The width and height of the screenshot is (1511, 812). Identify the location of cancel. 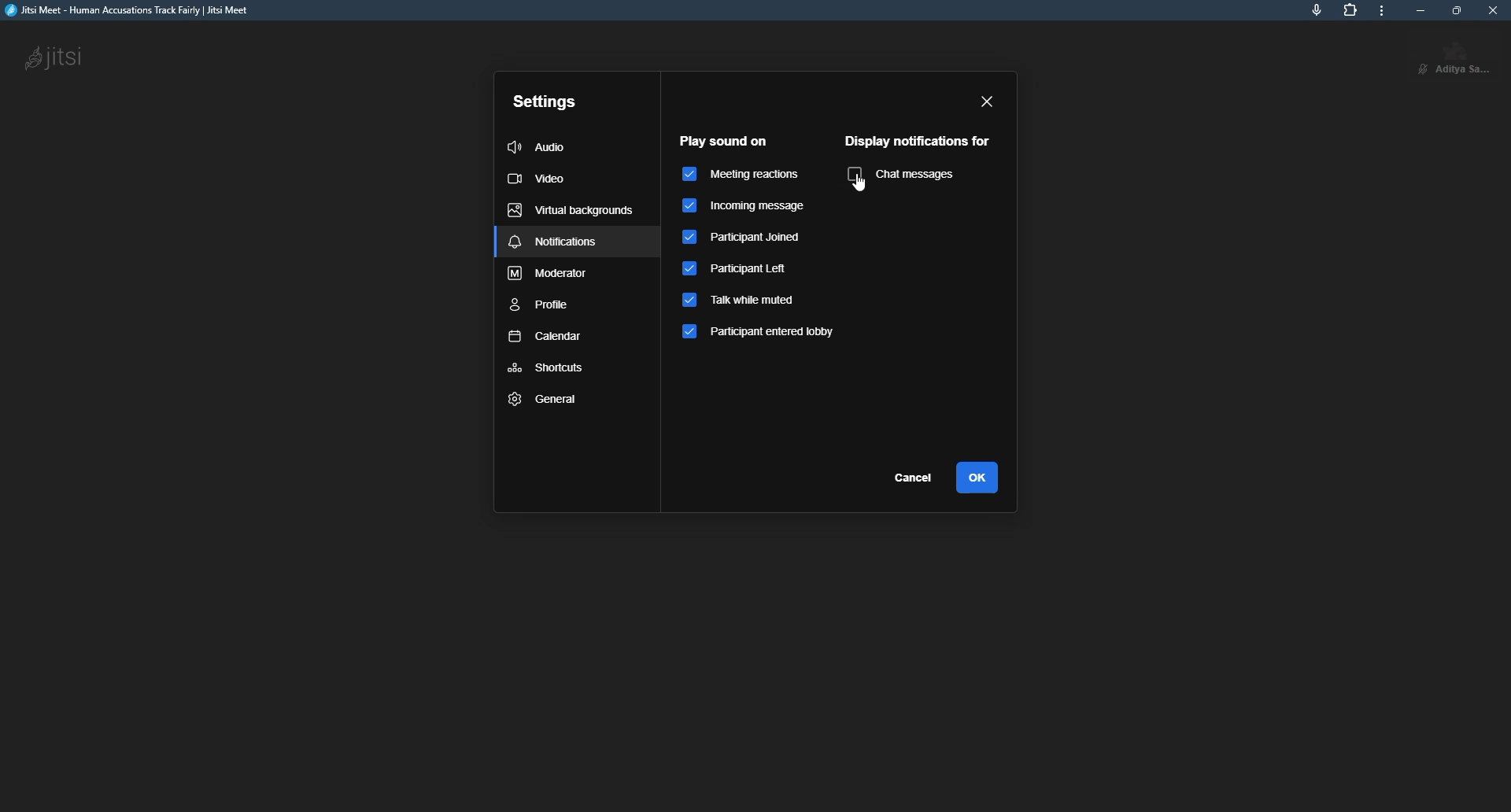
(916, 479).